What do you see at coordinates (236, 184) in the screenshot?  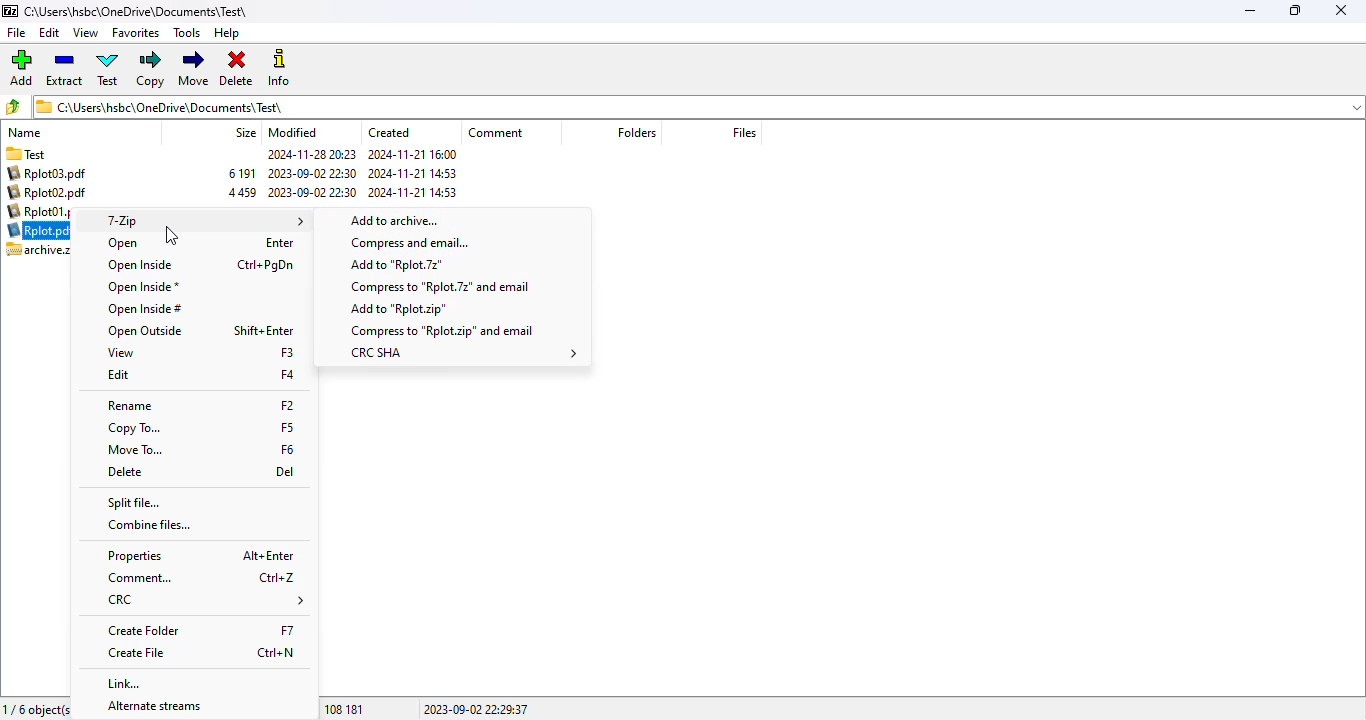 I see `archive` at bounding box center [236, 184].